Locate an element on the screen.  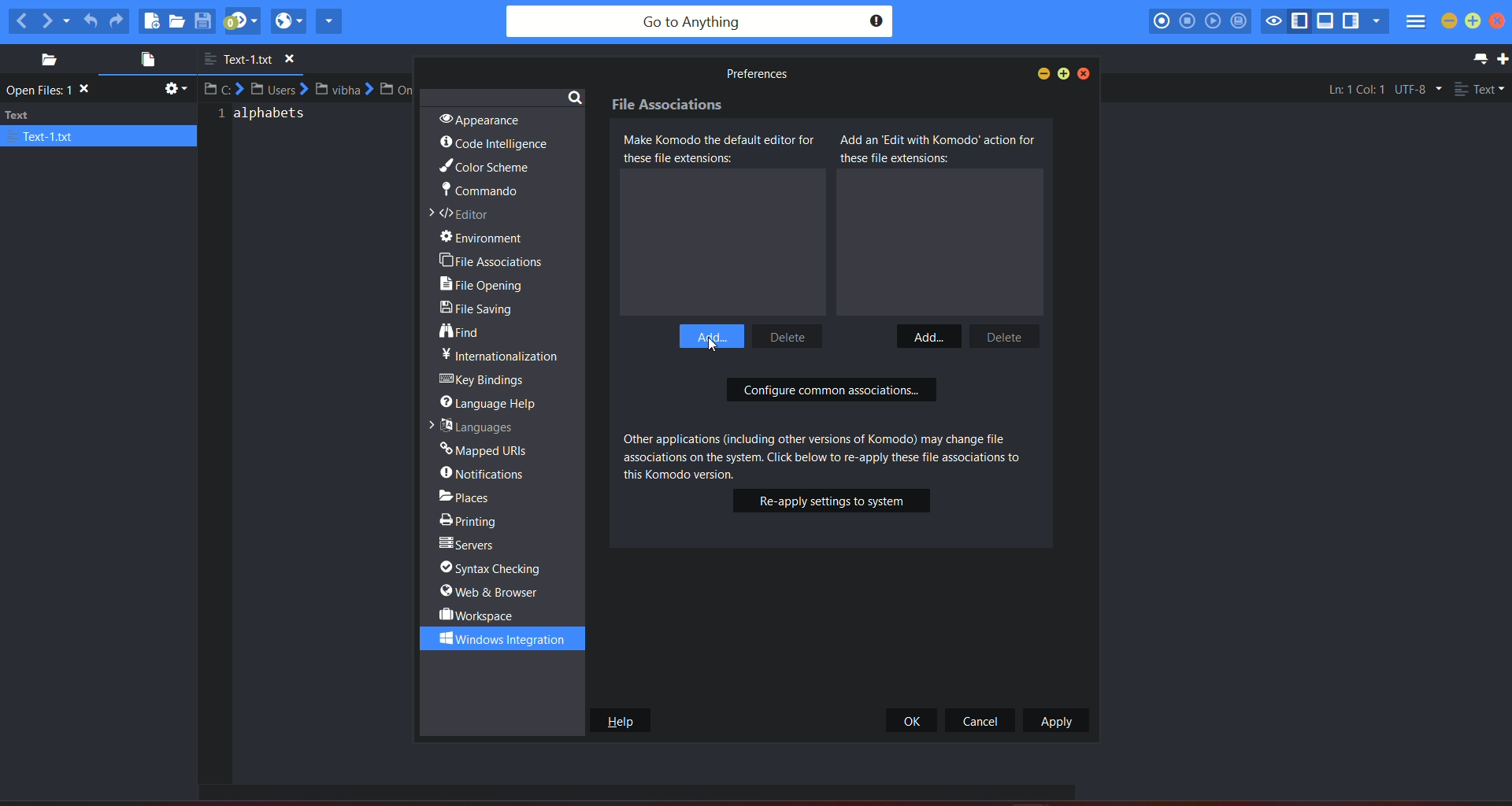
close is located at coordinates (1502, 22).